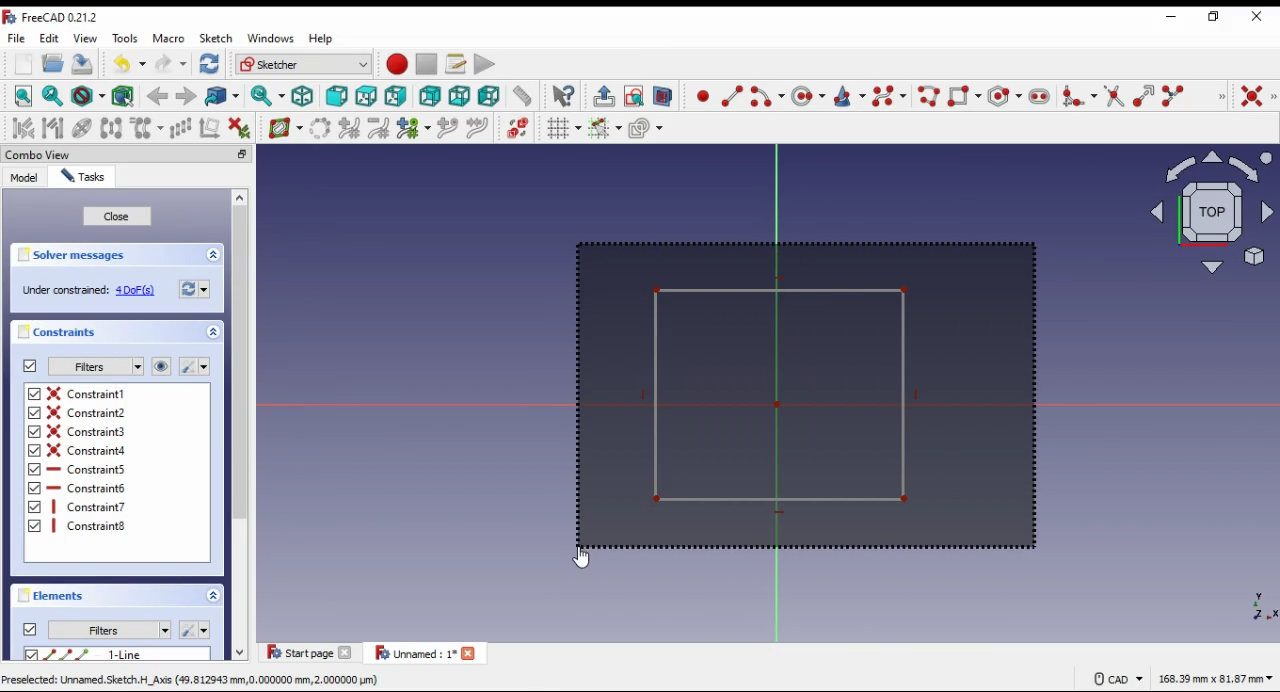 The width and height of the screenshot is (1280, 692). What do you see at coordinates (703, 95) in the screenshot?
I see `create point` at bounding box center [703, 95].